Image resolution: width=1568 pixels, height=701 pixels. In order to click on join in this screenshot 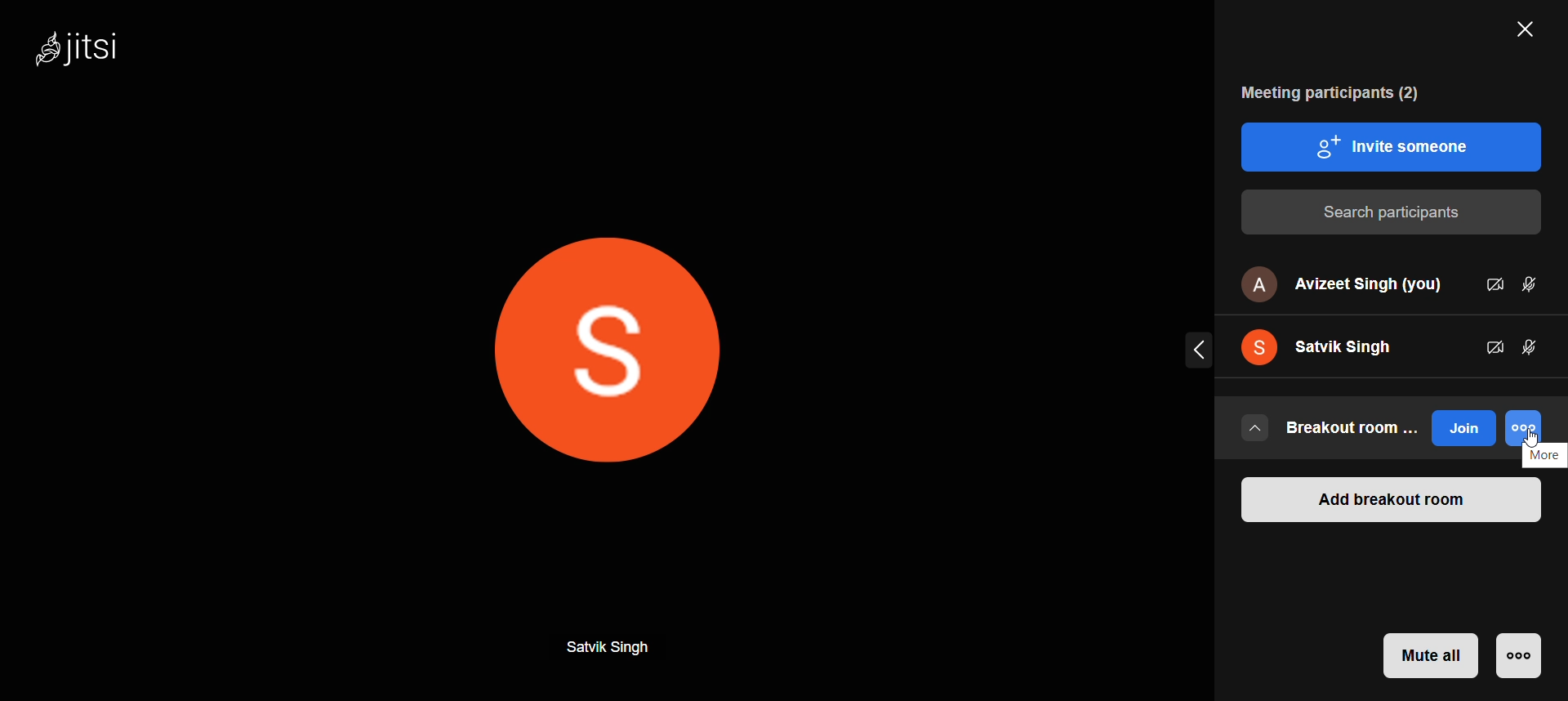, I will do `click(1463, 429)`.